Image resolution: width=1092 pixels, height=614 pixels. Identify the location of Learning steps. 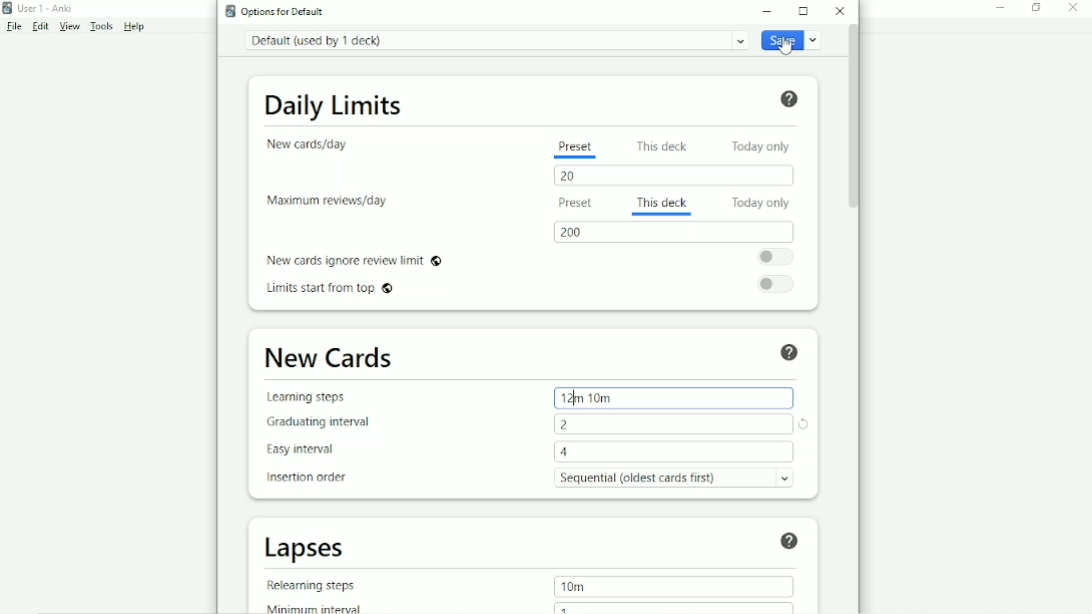
(308, 399).